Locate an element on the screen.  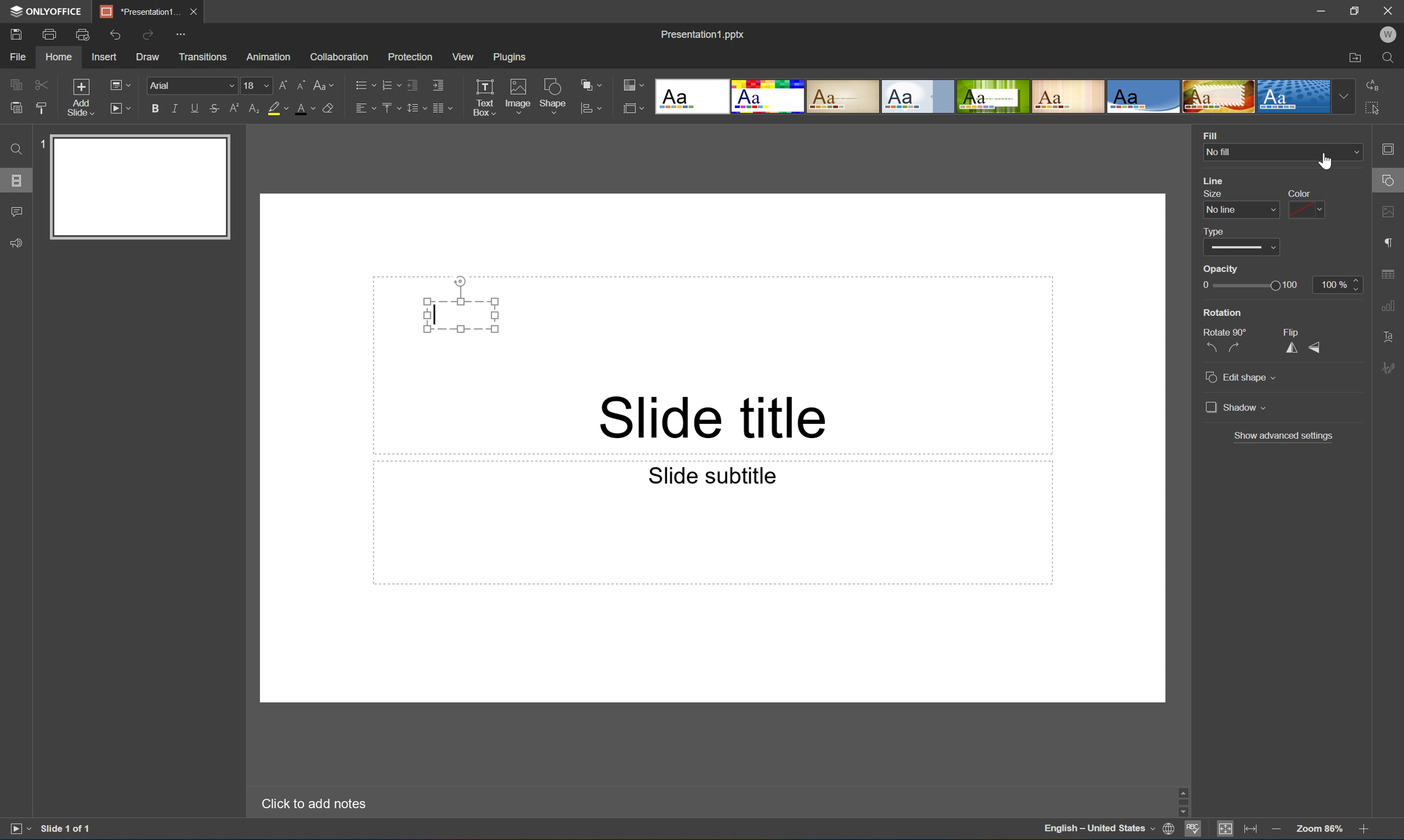
Draw is located at coordinates (149, 57).